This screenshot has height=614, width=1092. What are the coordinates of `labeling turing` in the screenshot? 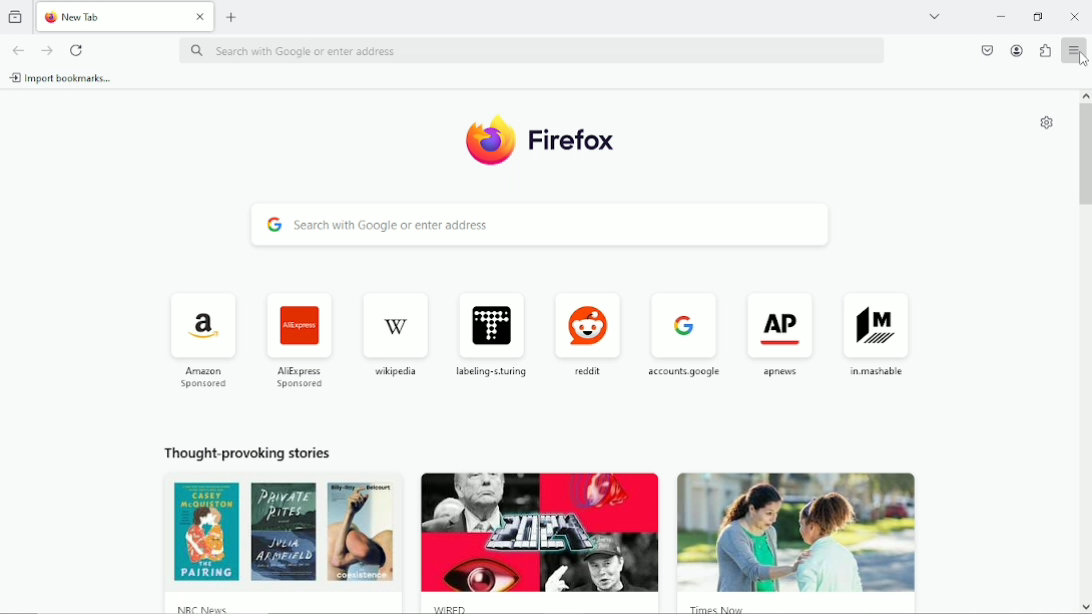 It's located at (494, 330).